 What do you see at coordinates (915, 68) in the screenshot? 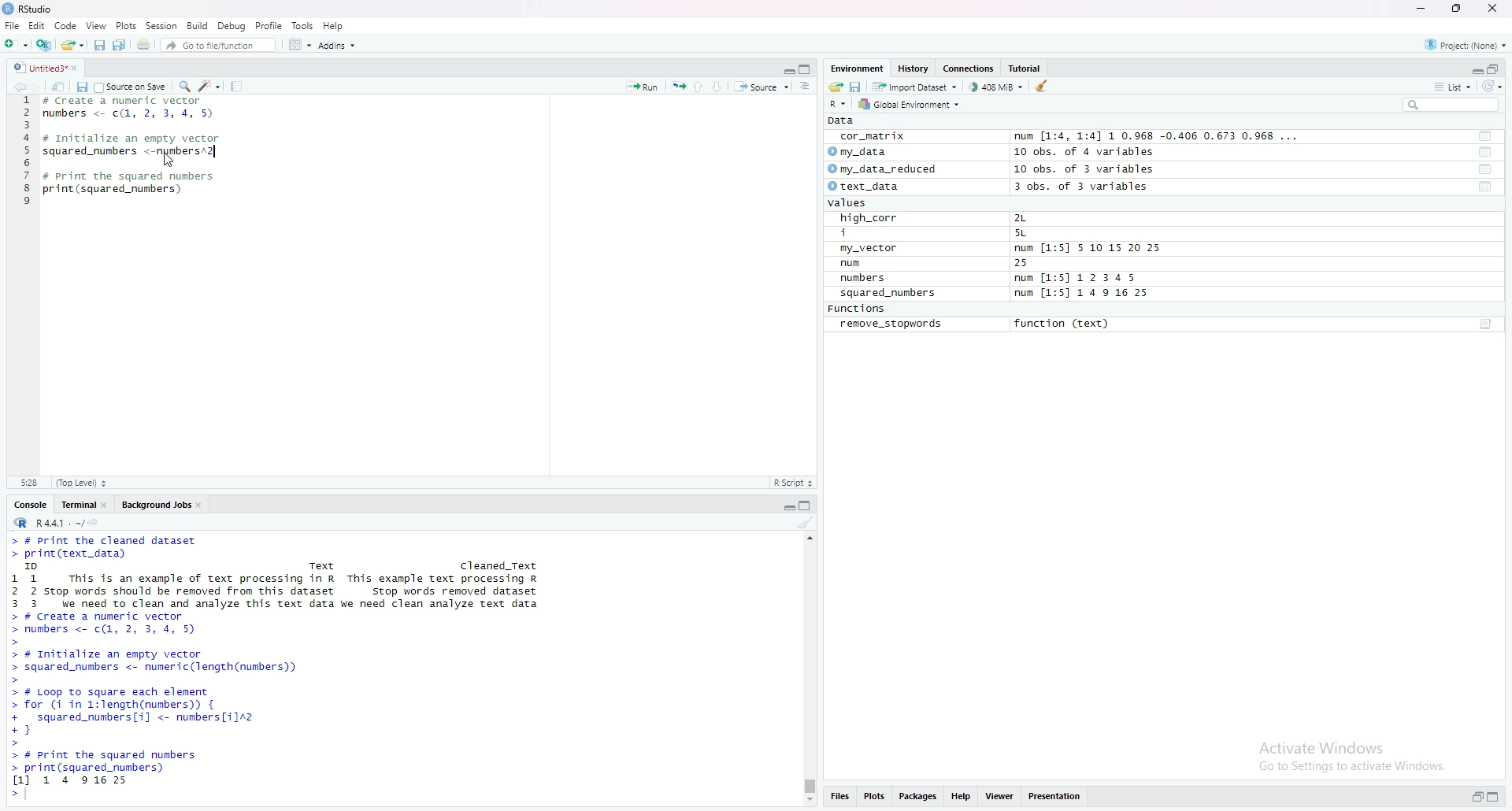
I see `History.` at bounding box center [915, 68].